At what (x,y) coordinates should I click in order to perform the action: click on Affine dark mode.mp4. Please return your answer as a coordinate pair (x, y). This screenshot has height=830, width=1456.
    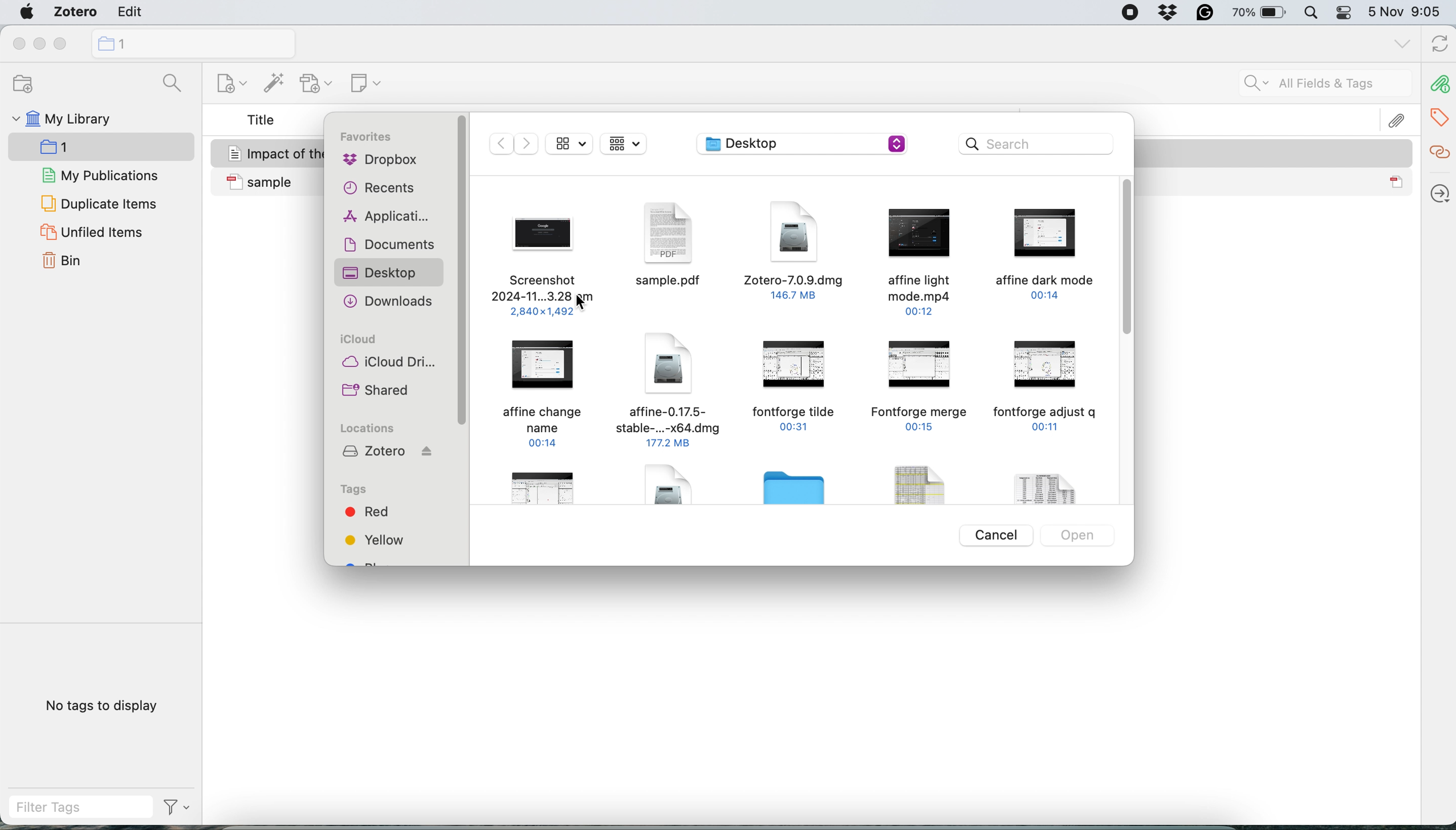
    Looking at the image, I should click on (1040, 255).